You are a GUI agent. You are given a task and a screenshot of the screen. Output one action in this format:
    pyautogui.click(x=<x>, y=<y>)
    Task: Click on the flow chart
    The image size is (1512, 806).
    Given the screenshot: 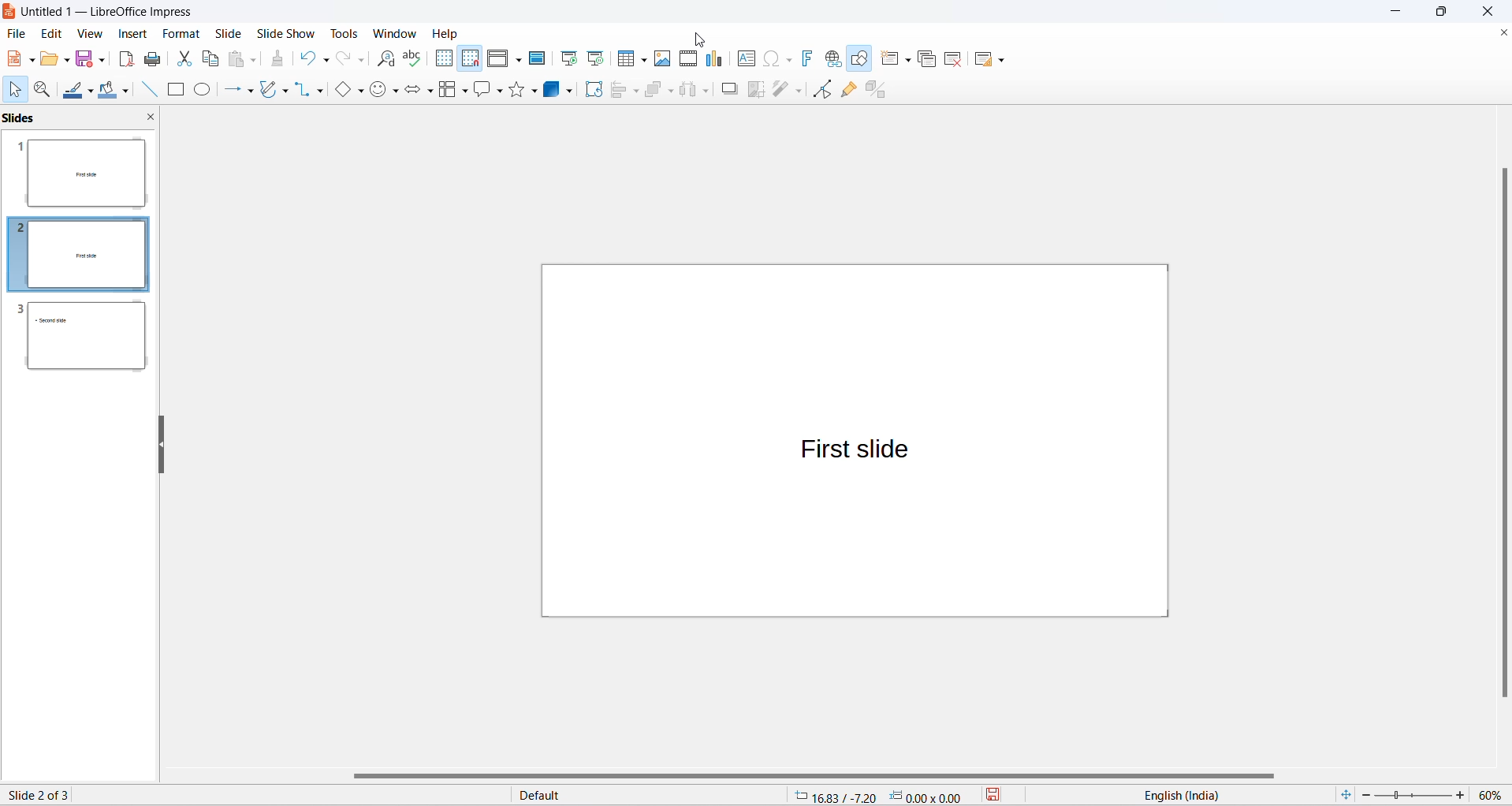 What is the action you would take?
    pyautogui.click(x=445, y=89)
    